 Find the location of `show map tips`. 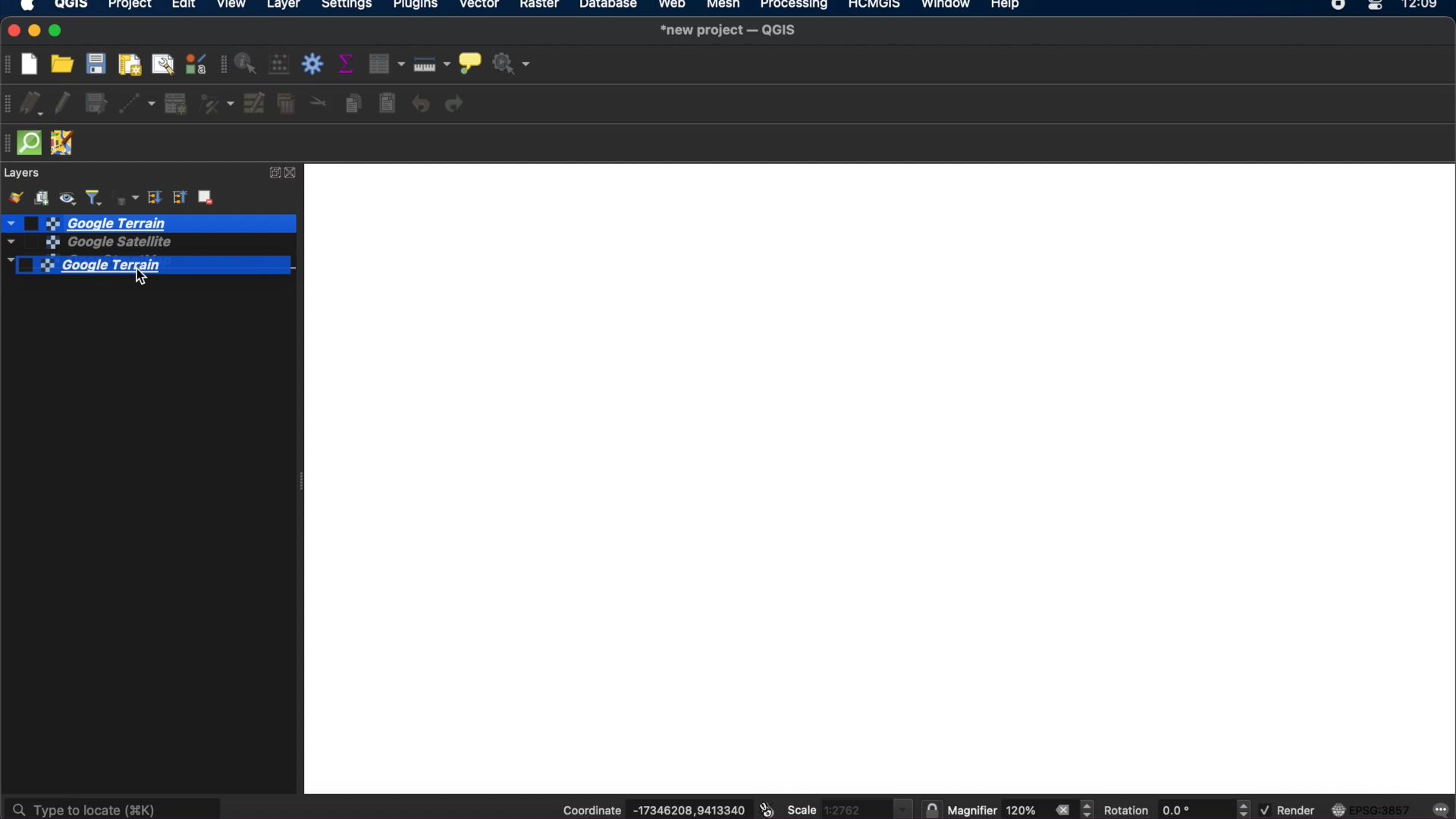

show map tips is located at coordinates (469, 61).